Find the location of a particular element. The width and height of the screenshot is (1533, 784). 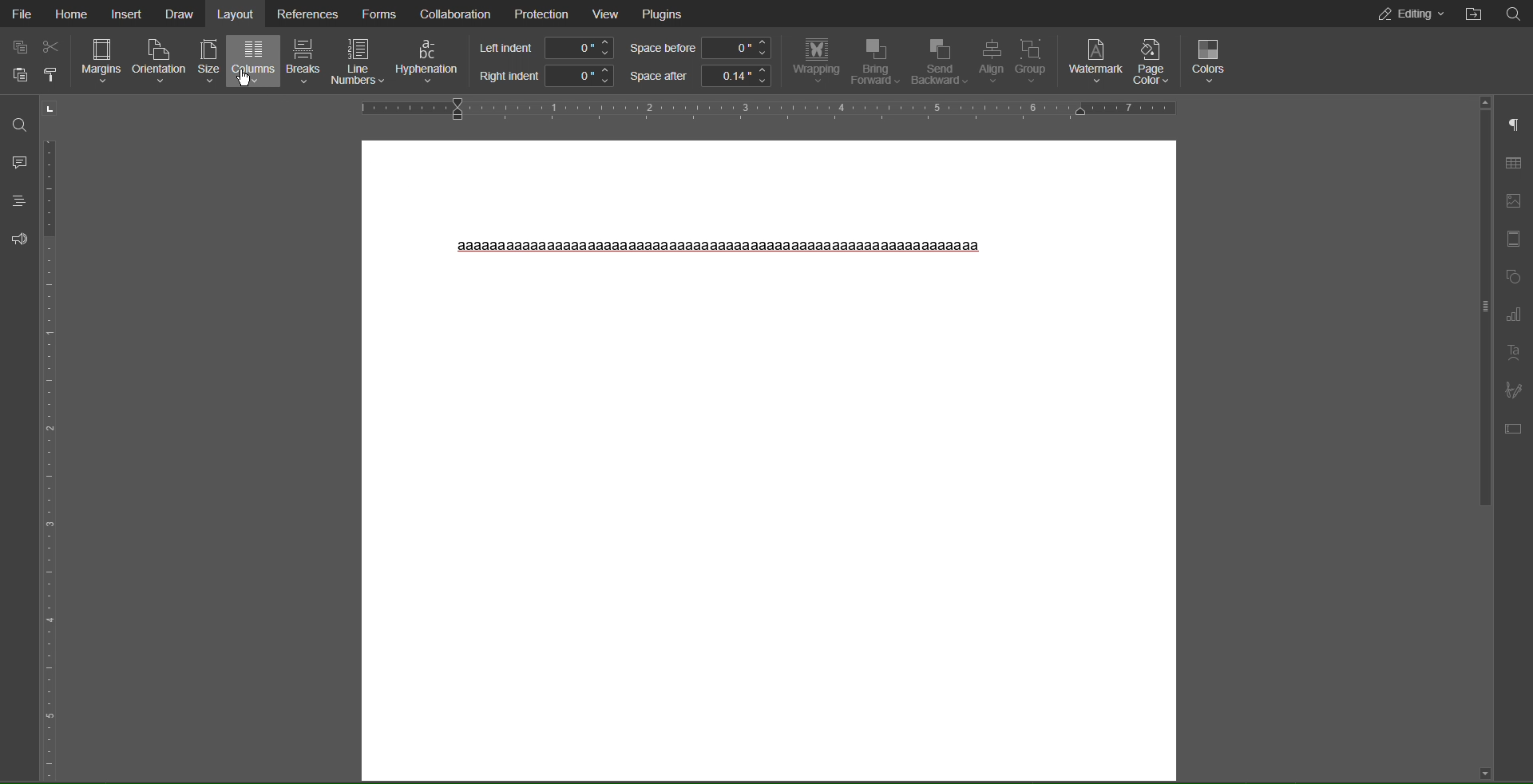

Open File Location is located at coordinates (1470, 15).